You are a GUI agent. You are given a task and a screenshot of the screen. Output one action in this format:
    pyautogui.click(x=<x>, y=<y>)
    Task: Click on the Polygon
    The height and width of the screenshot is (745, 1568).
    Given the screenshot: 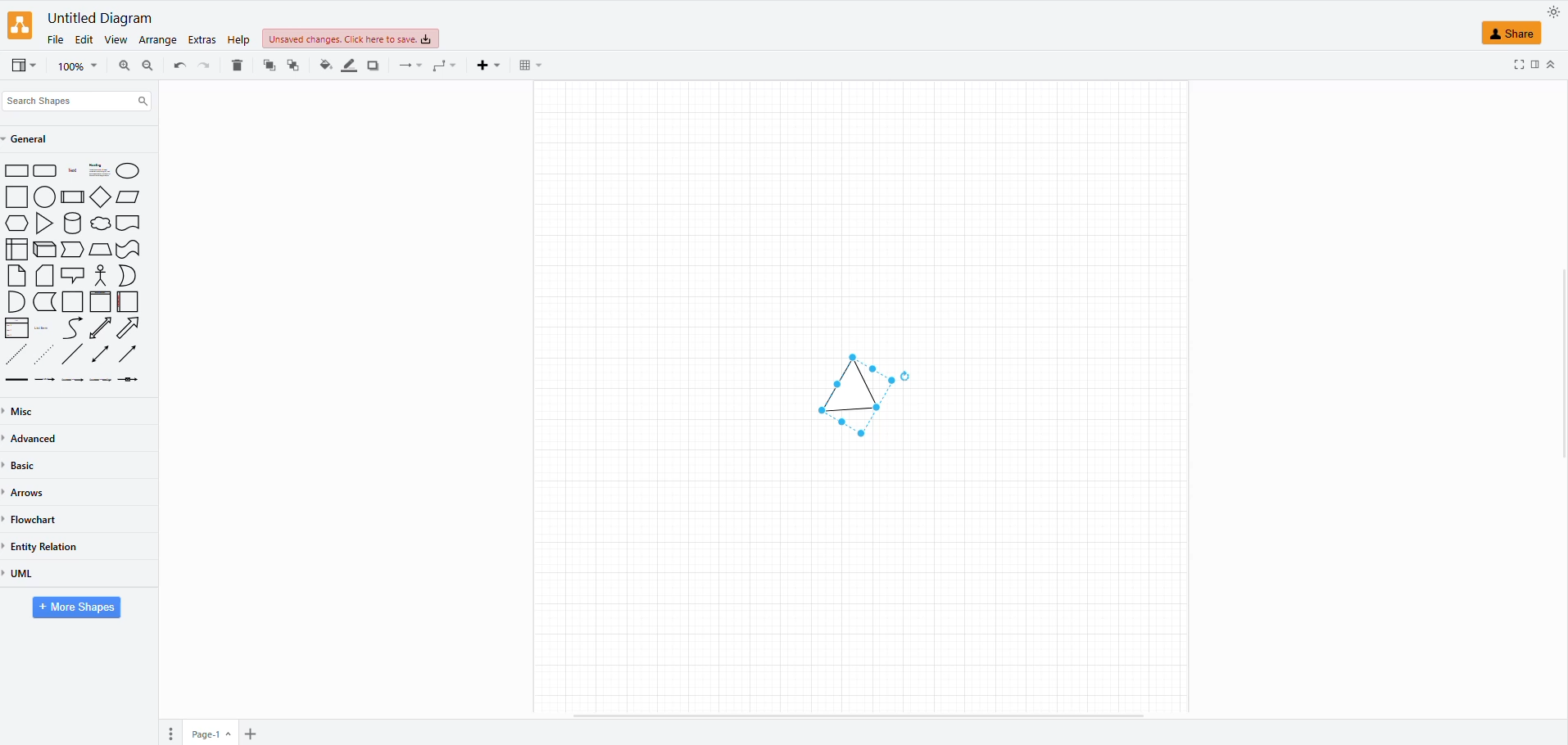 What is the action you would take?
    pyautogui.click(x=100, y=250)
    